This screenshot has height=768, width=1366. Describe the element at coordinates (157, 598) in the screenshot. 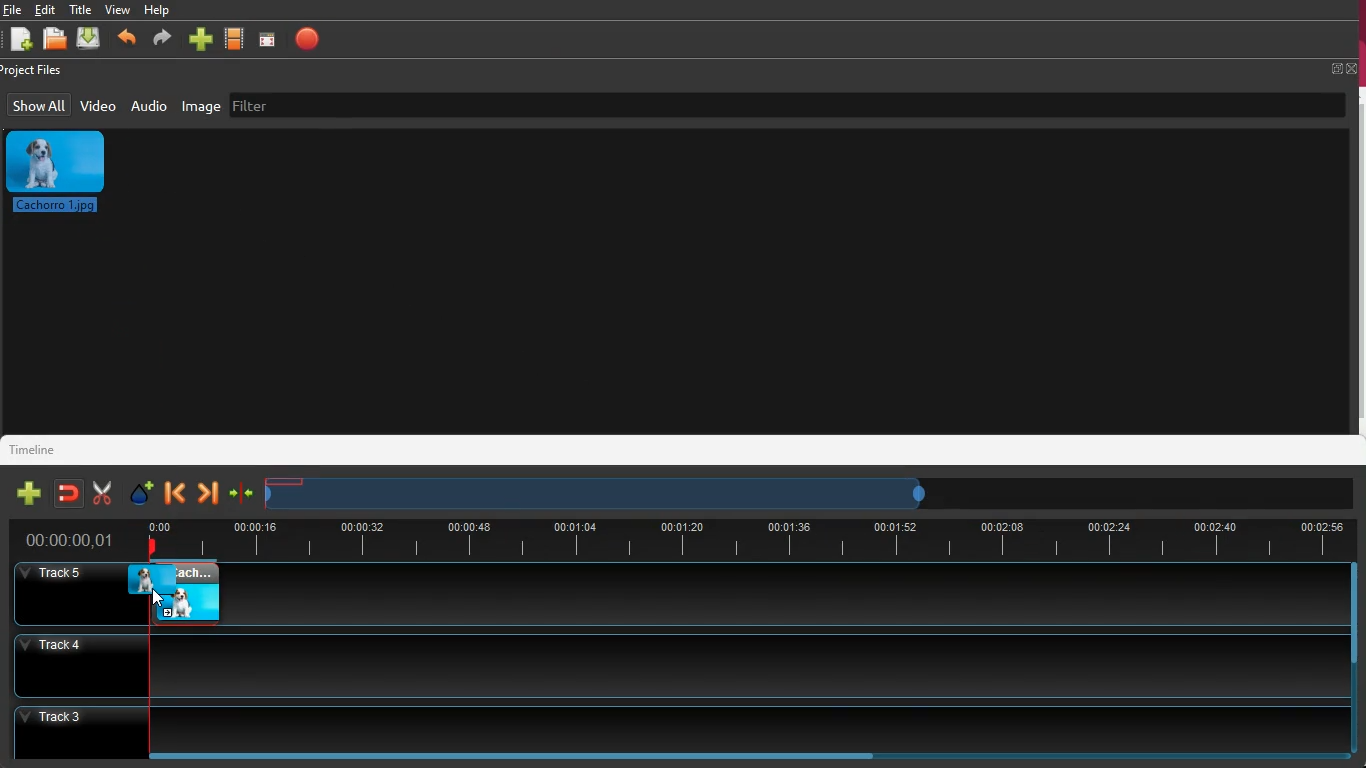

I see `cursor - drag to` at that location.